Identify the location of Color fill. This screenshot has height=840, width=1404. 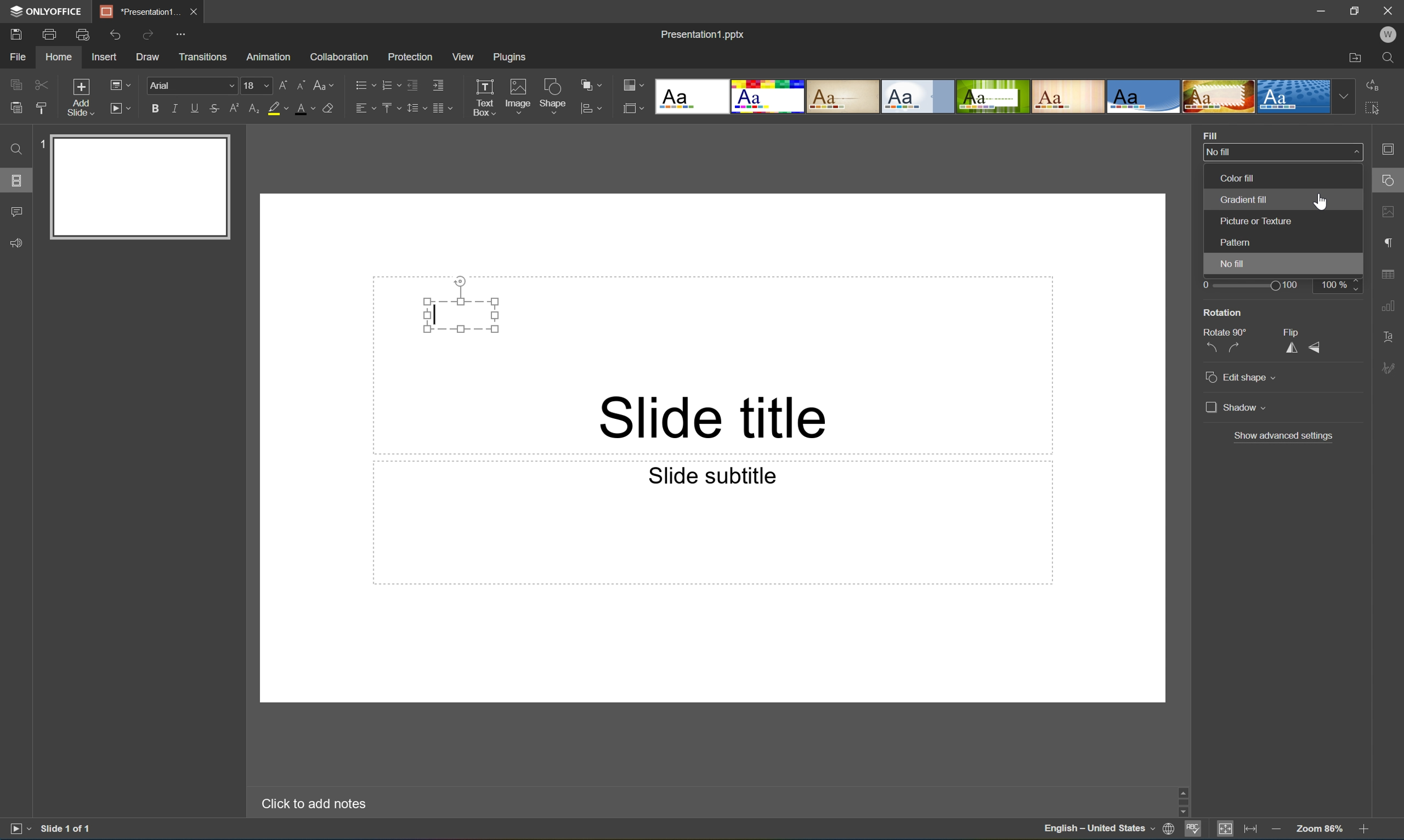
(1238, 176).